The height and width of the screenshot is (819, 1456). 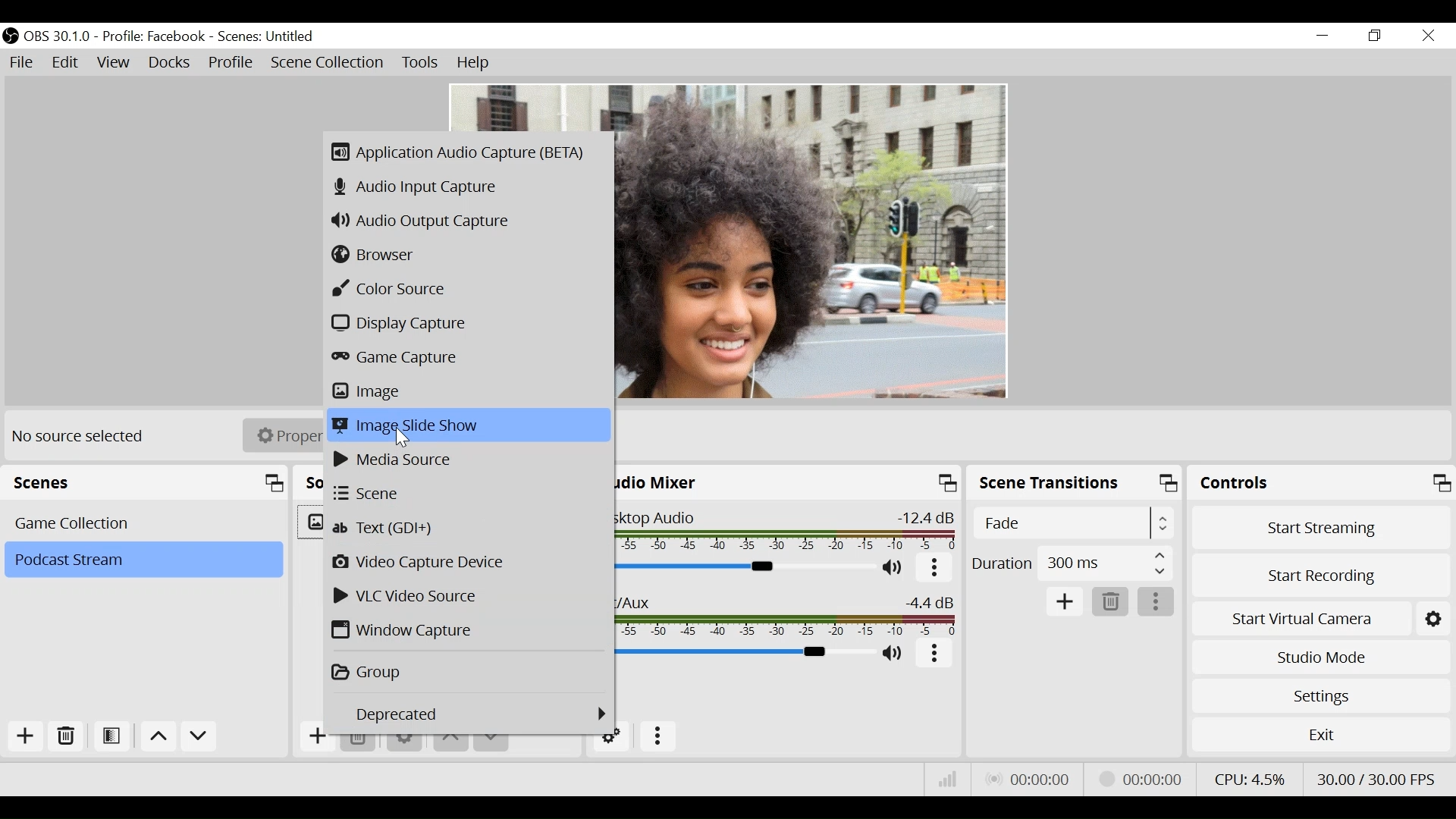 What do you see at coordinates (115, 737) in the screenshot?
I see `Open Scene Filter` at bounding box center [115, 737].